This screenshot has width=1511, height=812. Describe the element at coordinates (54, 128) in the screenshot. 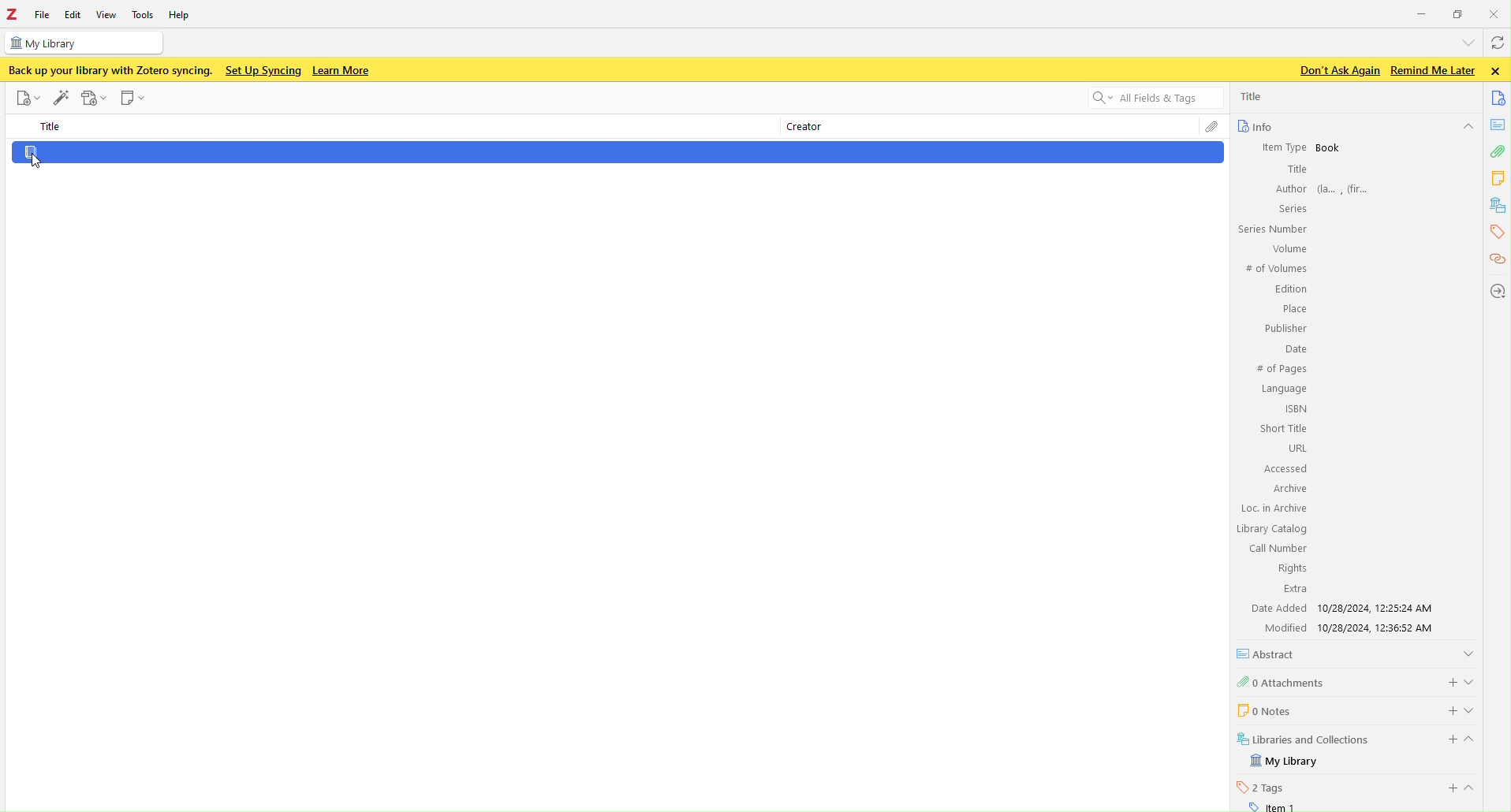

I see `title` at that location.